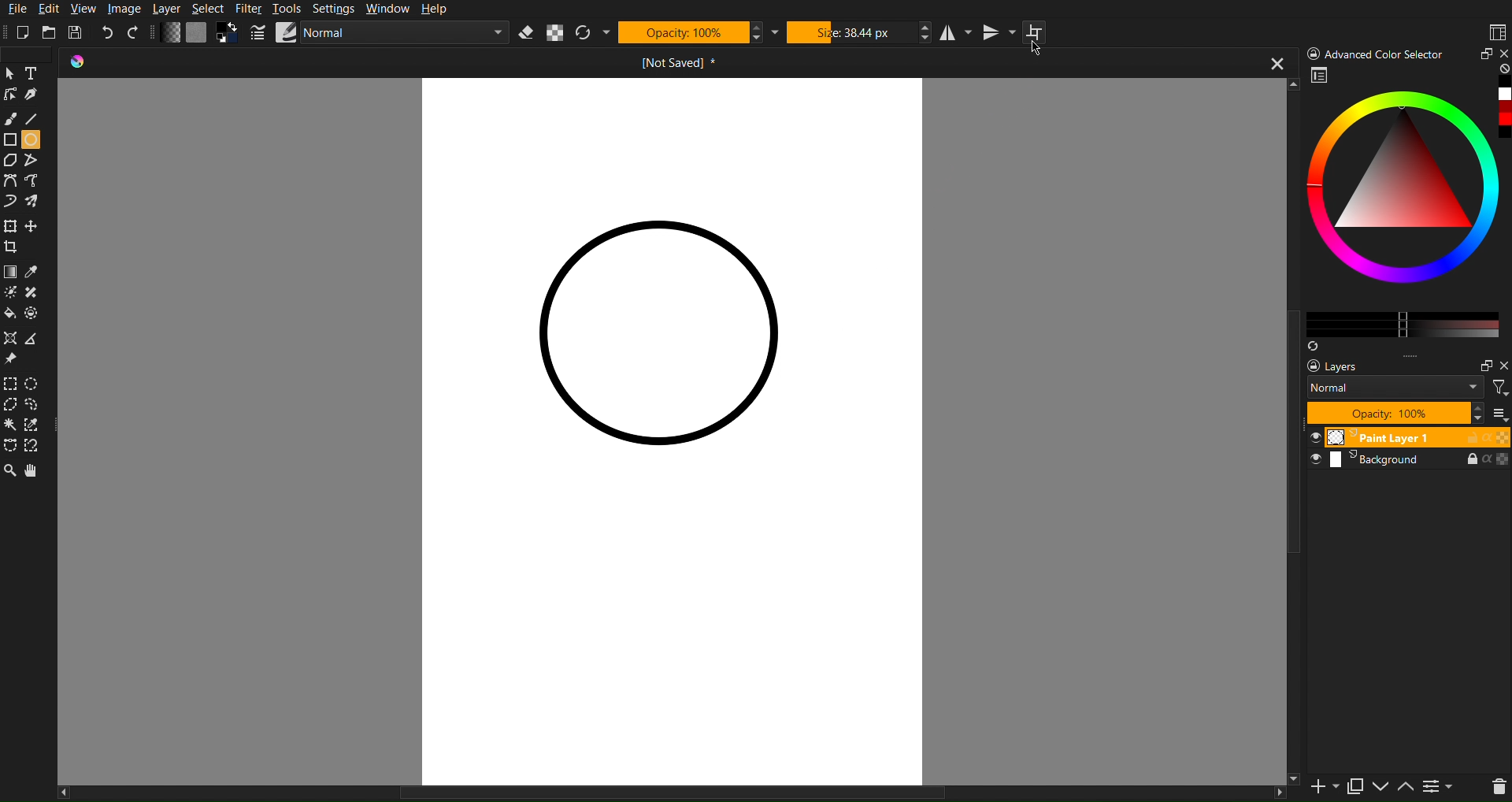  What do you see at coordinates (10, 181) in the screenshot?
I see `Curve Tools` at bounding box center [10, 181].